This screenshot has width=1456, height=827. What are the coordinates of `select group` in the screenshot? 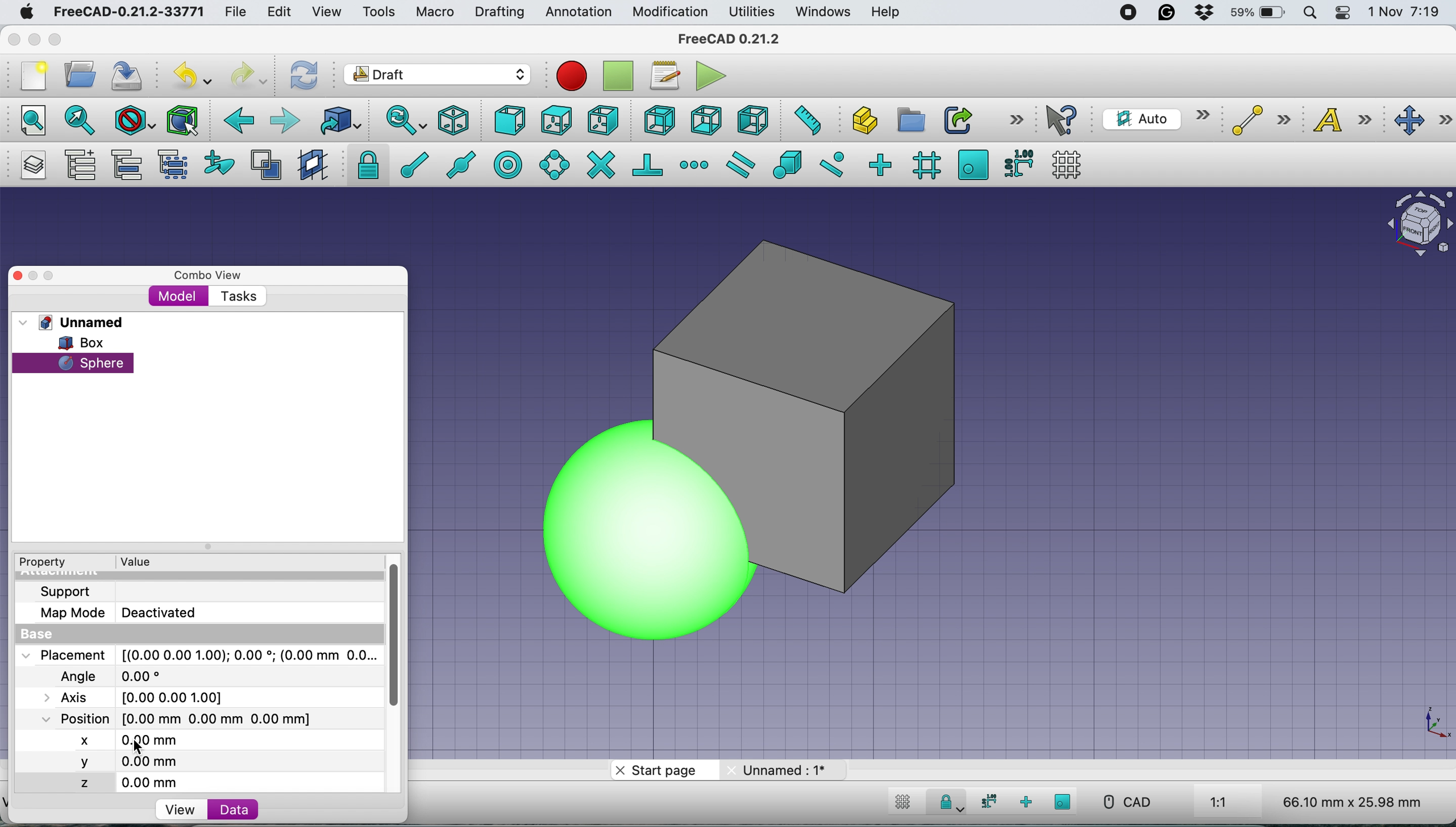 It's located at (172, 167).